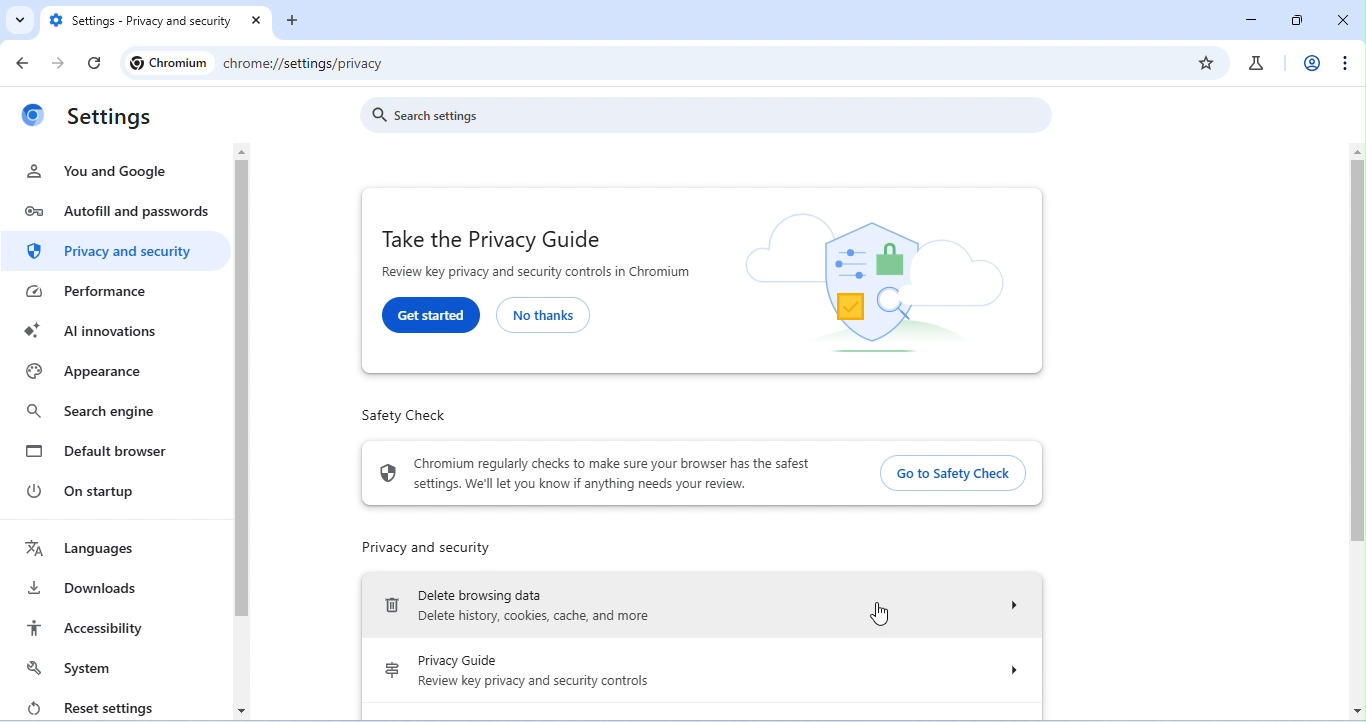 The image size is (1366, 722). Describe the element at coordinates (341, 65) in the screenshot. I see `chrome://settings/clearBrowserData` at that location.